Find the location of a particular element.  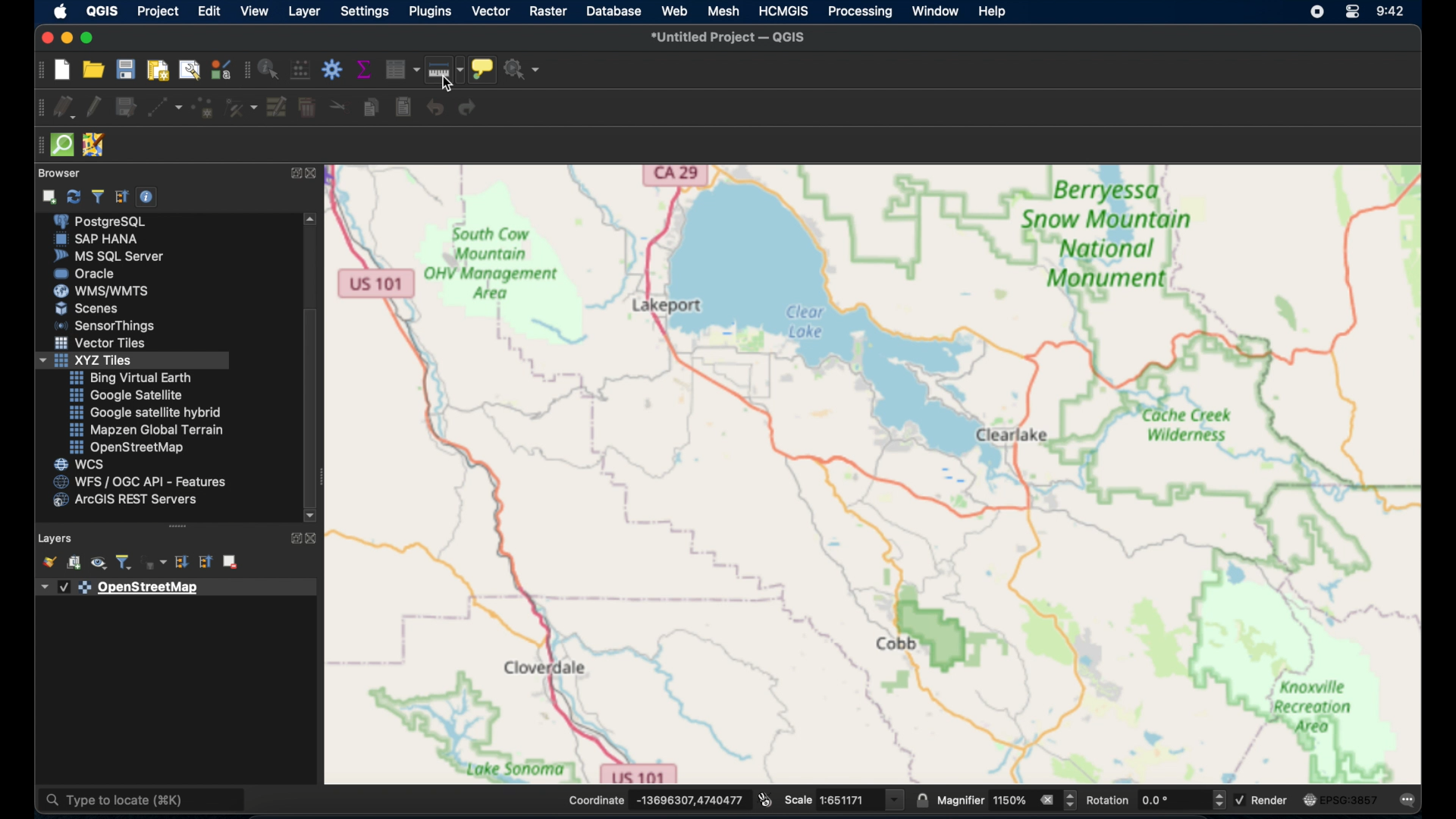

control center is located at coordinates (1355, 13).